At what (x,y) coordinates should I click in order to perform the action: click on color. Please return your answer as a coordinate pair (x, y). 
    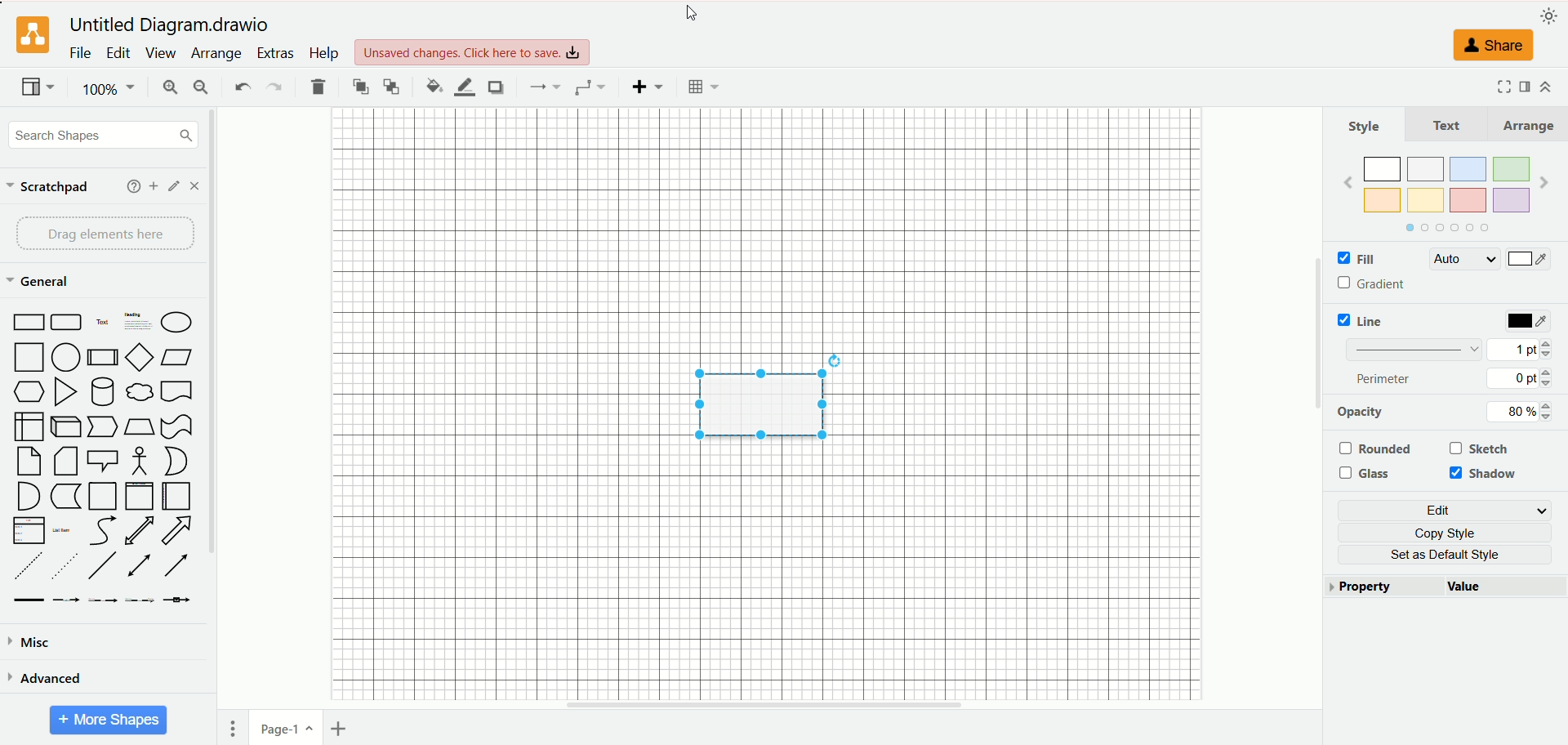
    Looking at the image, I should click on (1530, 322).